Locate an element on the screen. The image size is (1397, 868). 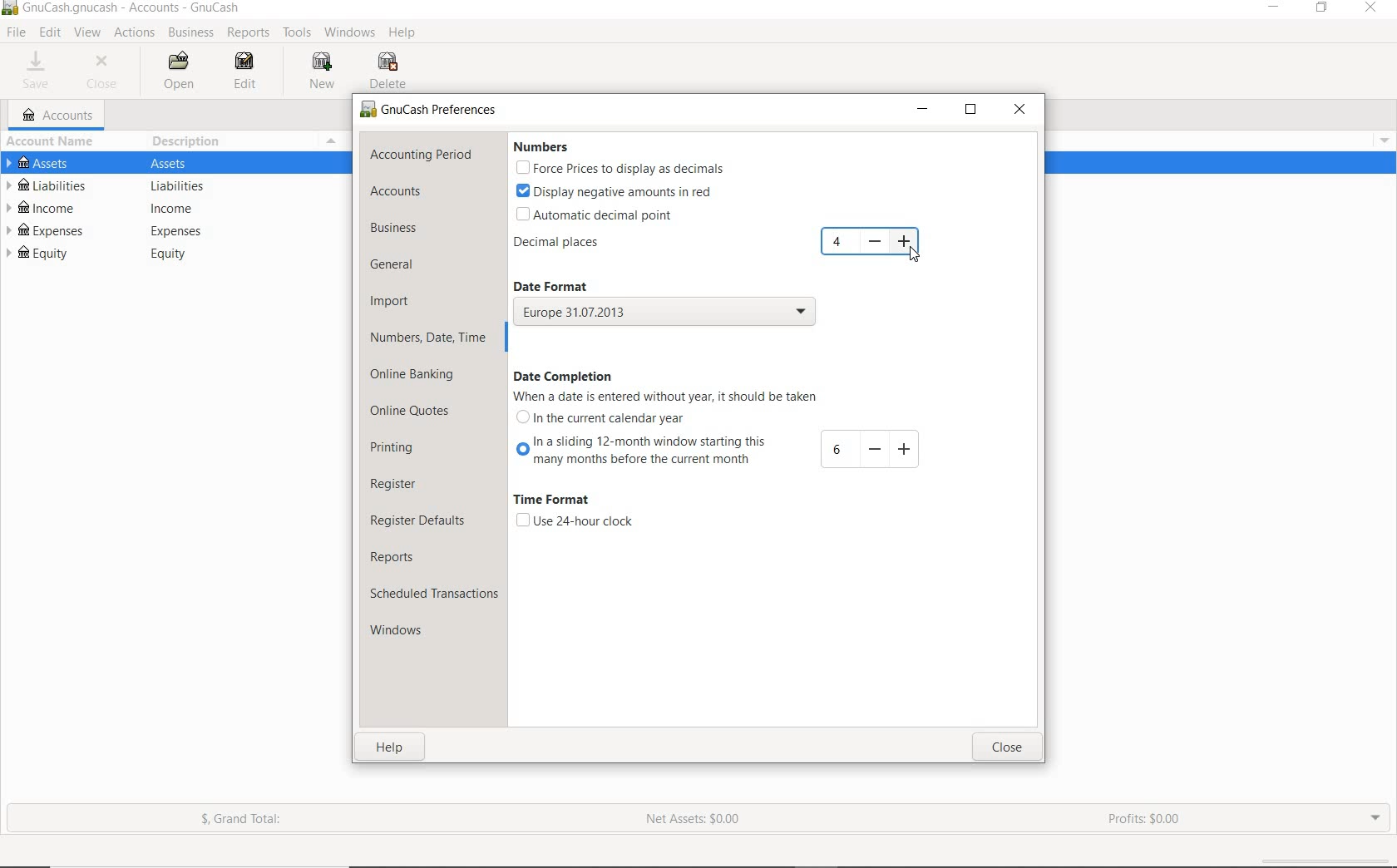
numbers is located at coordinates (546, 147).